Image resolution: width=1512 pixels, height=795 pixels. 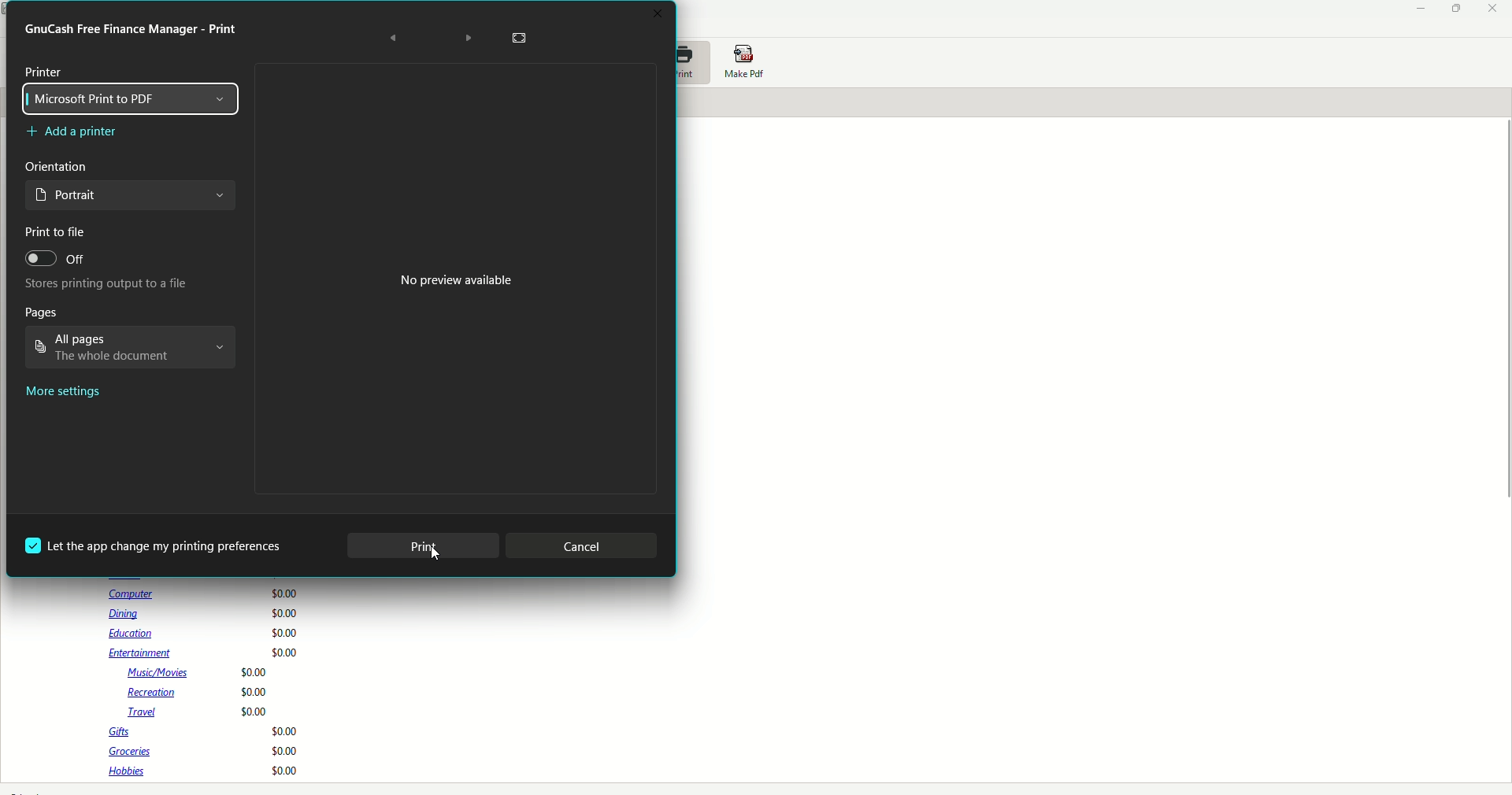 What do you see at coordinates (439, 556) in the screenshot?
I see `cursor` at bounding box center [439, 556].